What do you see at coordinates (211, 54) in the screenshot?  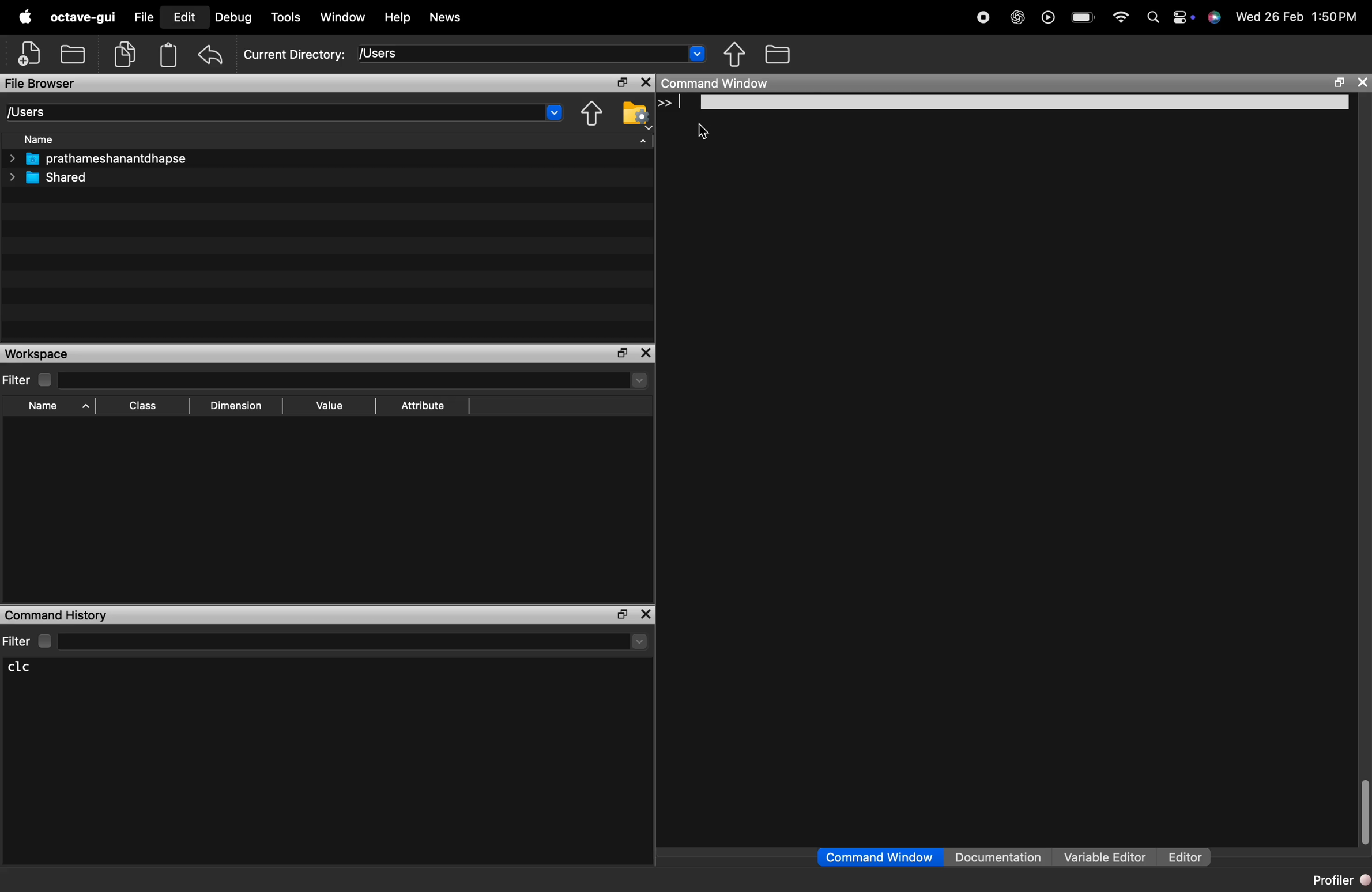 I see `Undo` at bounding box center [211, 54].